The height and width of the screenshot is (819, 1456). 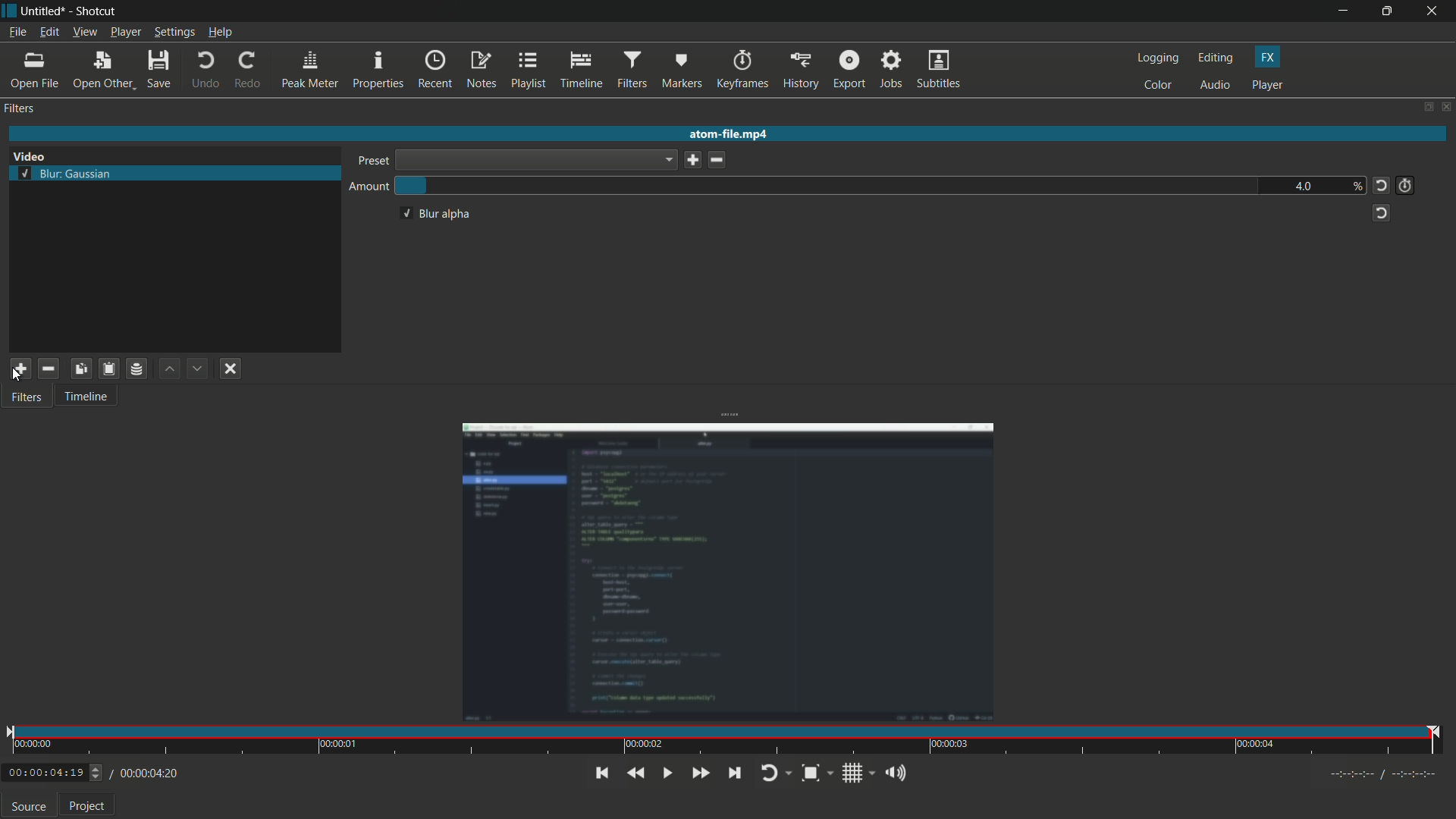 What do you see at coordinates (1305, 186) in the screenshot?
I see `4.0` at bounding box center [1305, 186].